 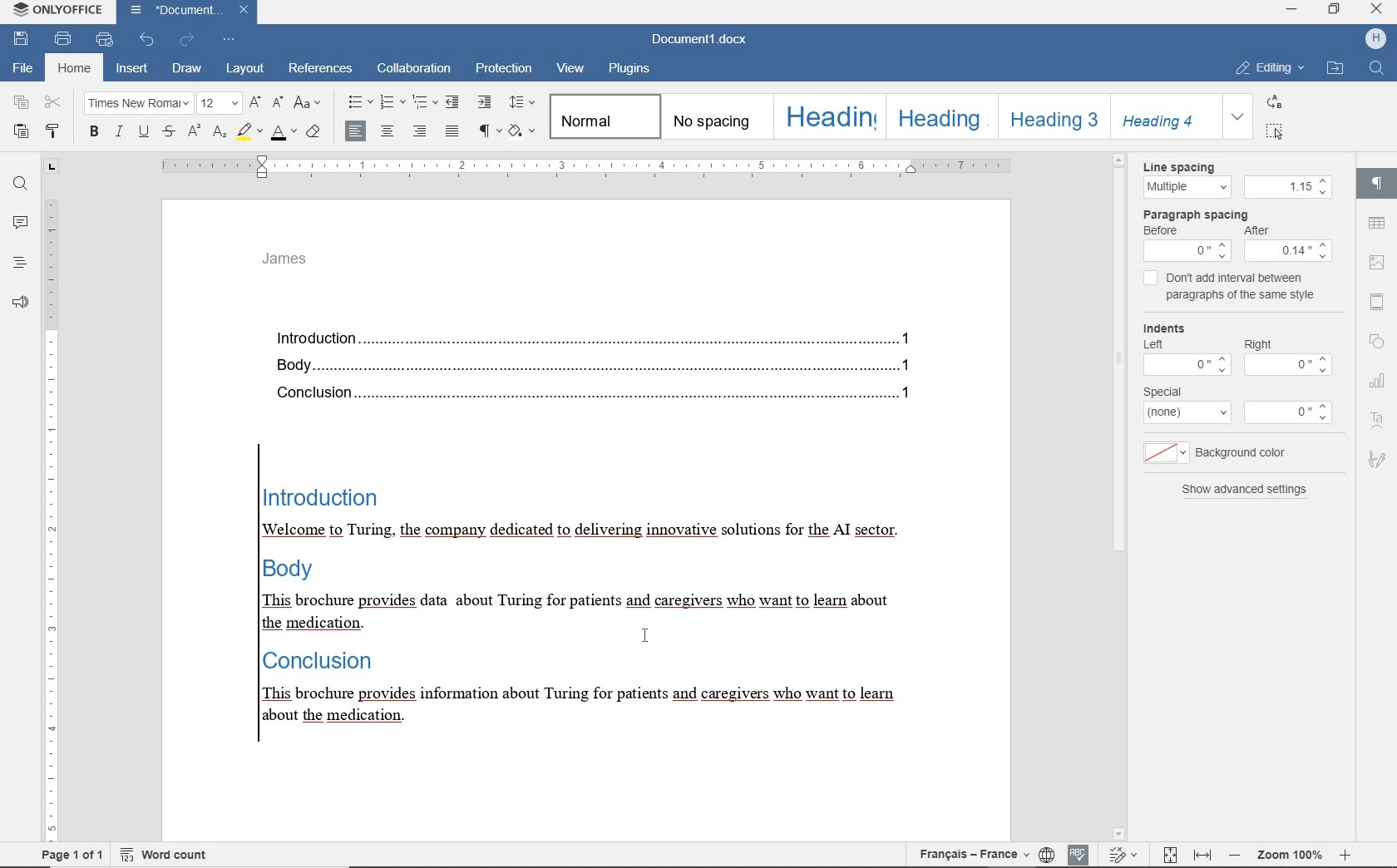 What do you see at coordinates (1375, 37) in the screenshot?
I see `icon` at bounding box center [1375, 37].